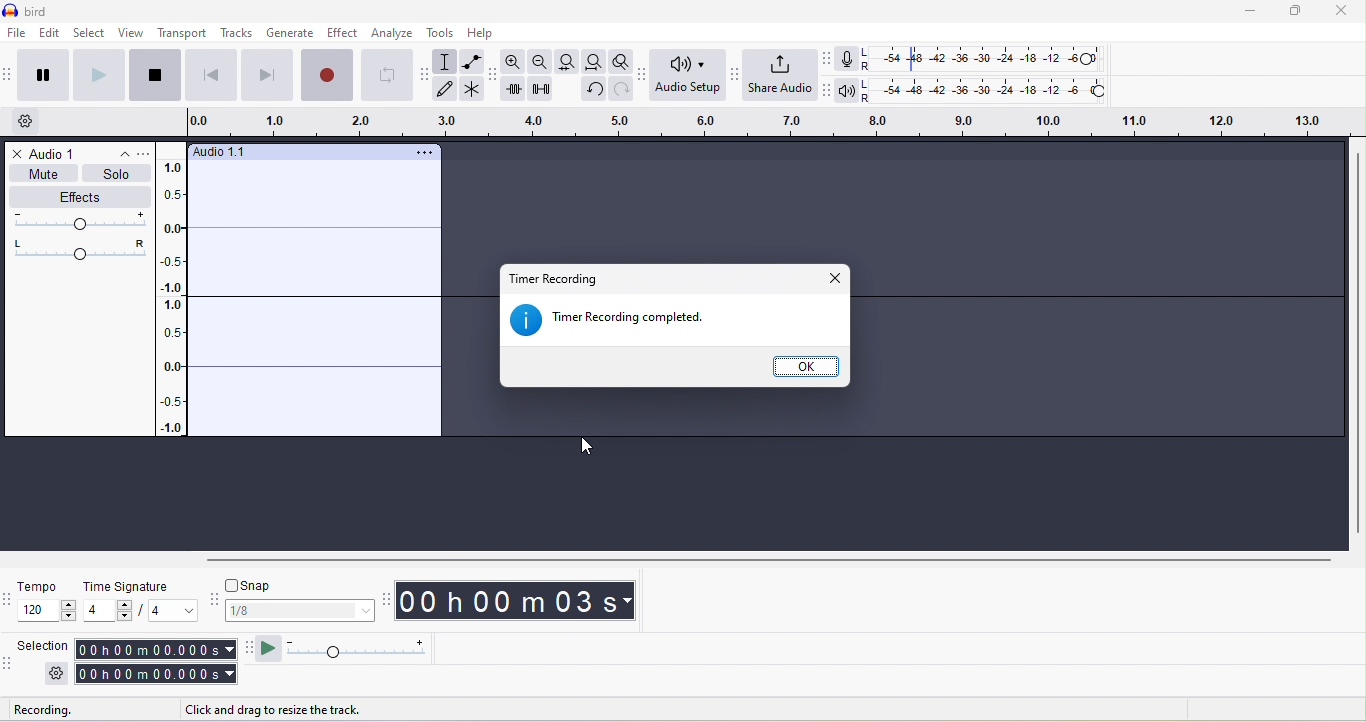 This screenshot has width=1366, height=722. I want to click on audacity audio setup toolbar, so click(644, 75).